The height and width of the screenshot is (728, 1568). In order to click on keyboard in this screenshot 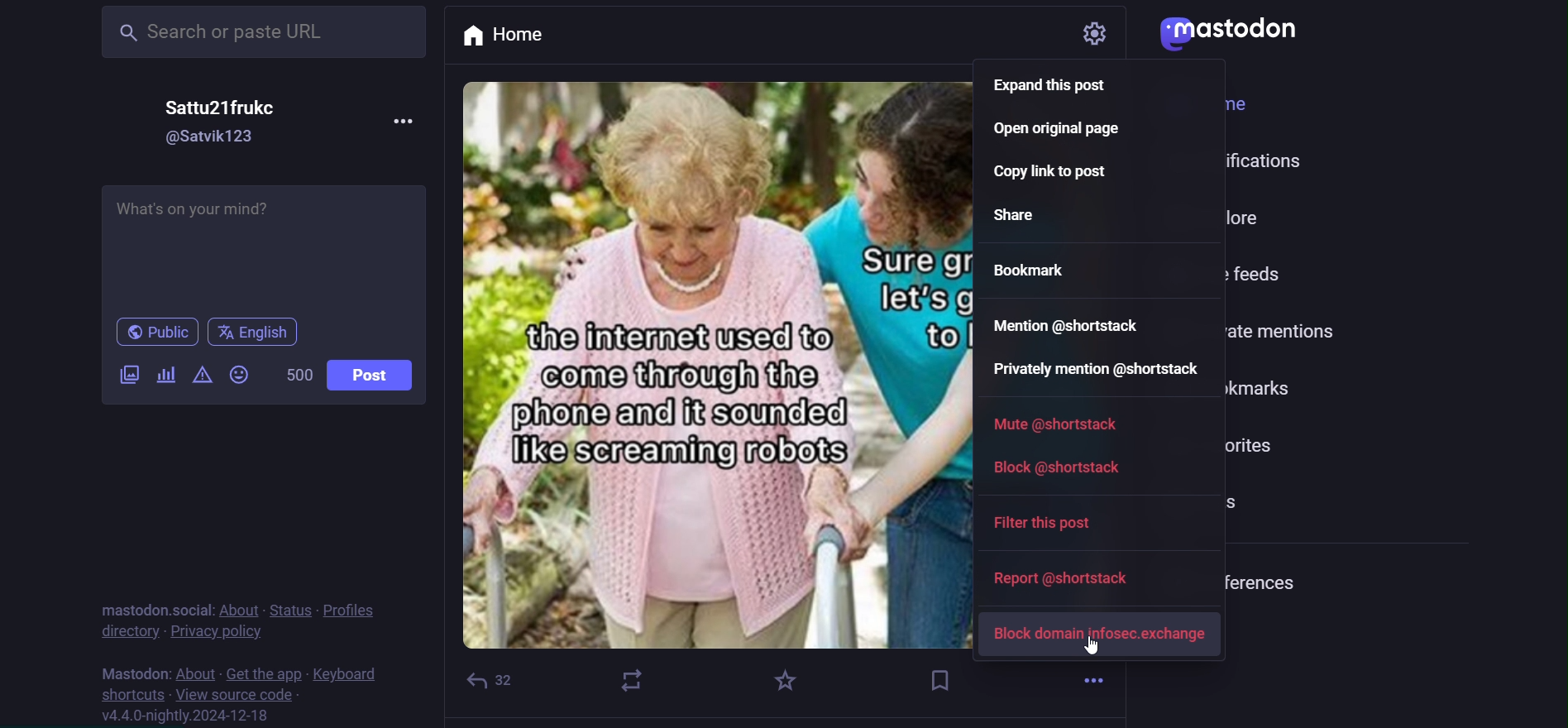, I will do `click(343, 674)`.